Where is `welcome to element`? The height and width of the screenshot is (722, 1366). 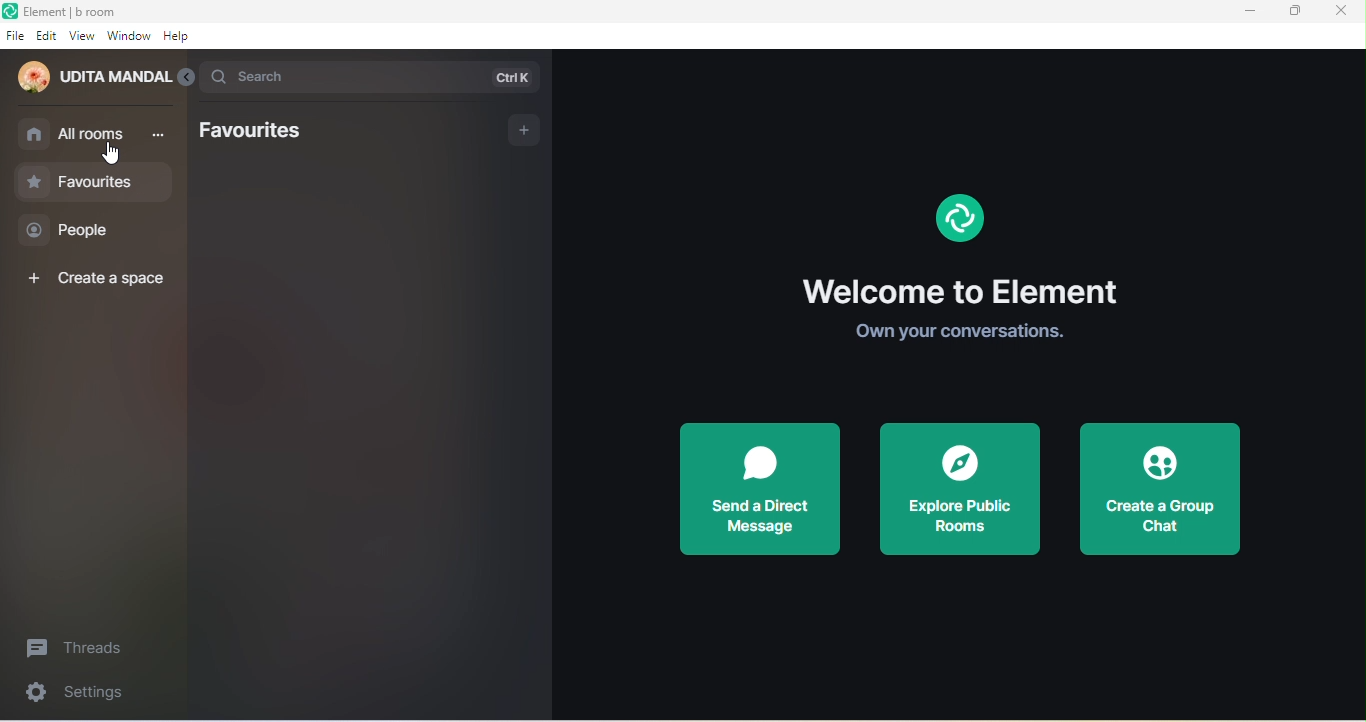
welcome to element is located at coordinates (972, 259).